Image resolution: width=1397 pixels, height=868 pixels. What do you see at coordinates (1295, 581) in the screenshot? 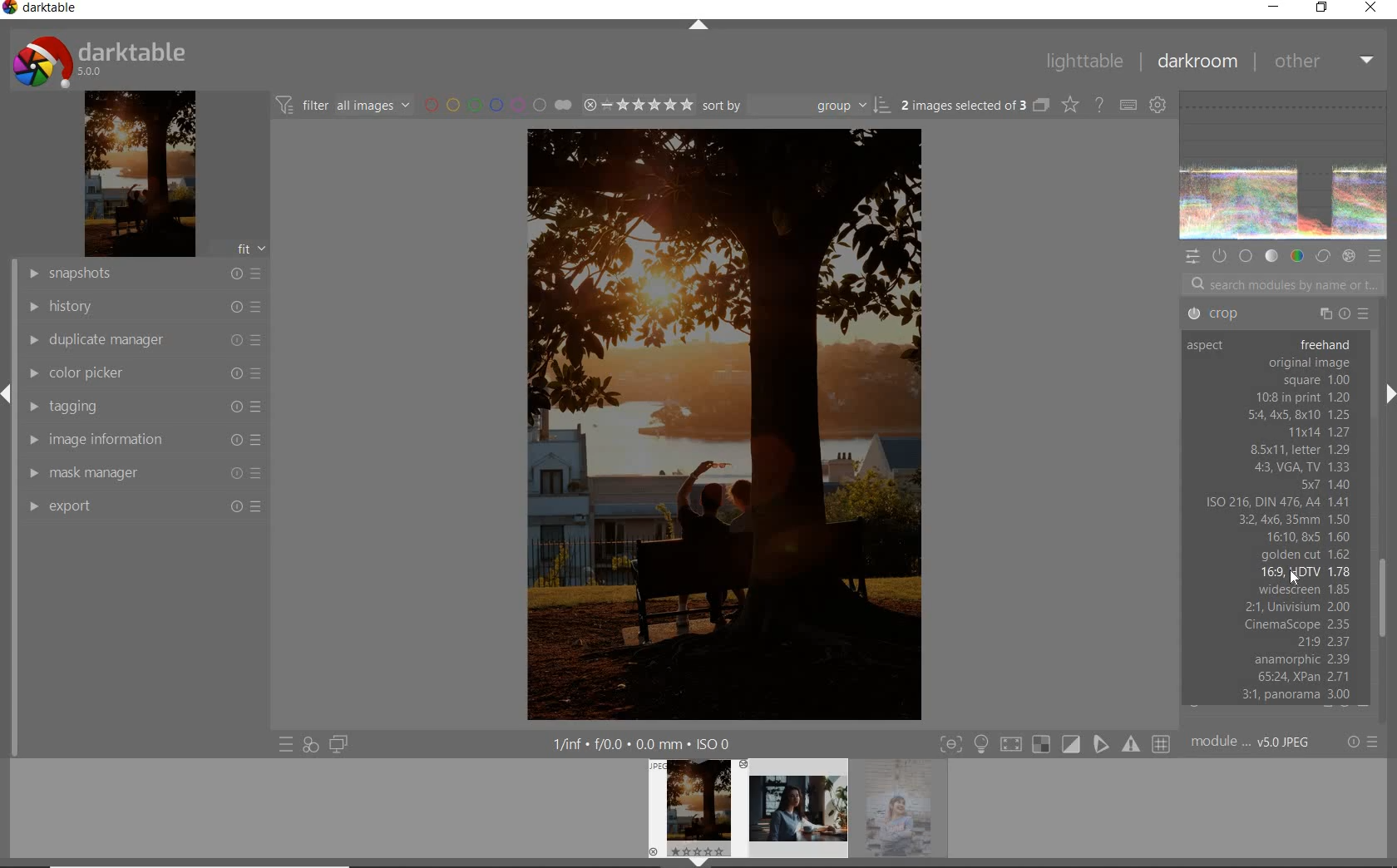
I see `cursor` at bounding box center [1295, 581].